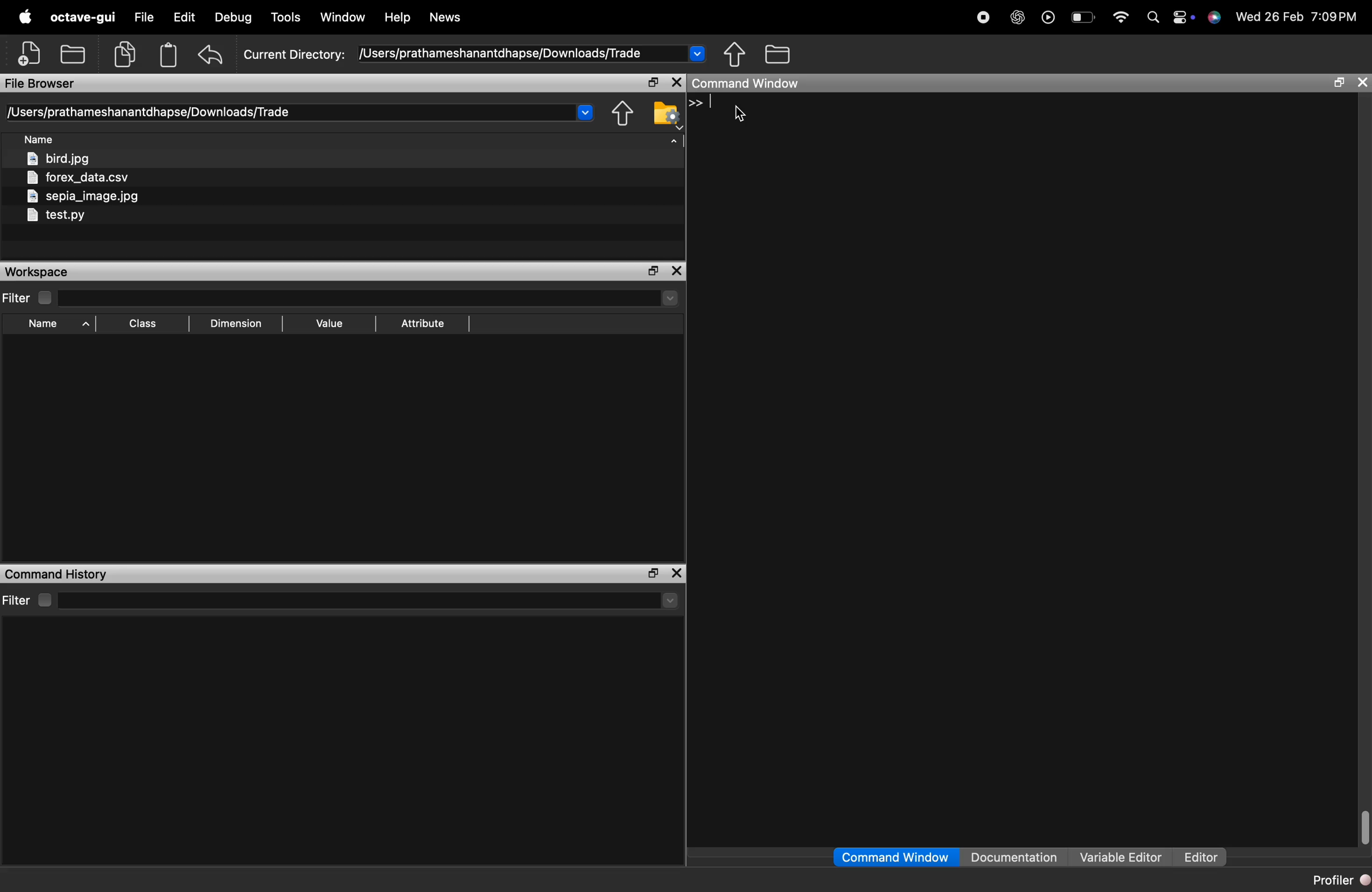 This screenshot has height=892, width=1372. Describe the element at coordinates (1121, 18) in the screenshot. I see `wifi` at that location.